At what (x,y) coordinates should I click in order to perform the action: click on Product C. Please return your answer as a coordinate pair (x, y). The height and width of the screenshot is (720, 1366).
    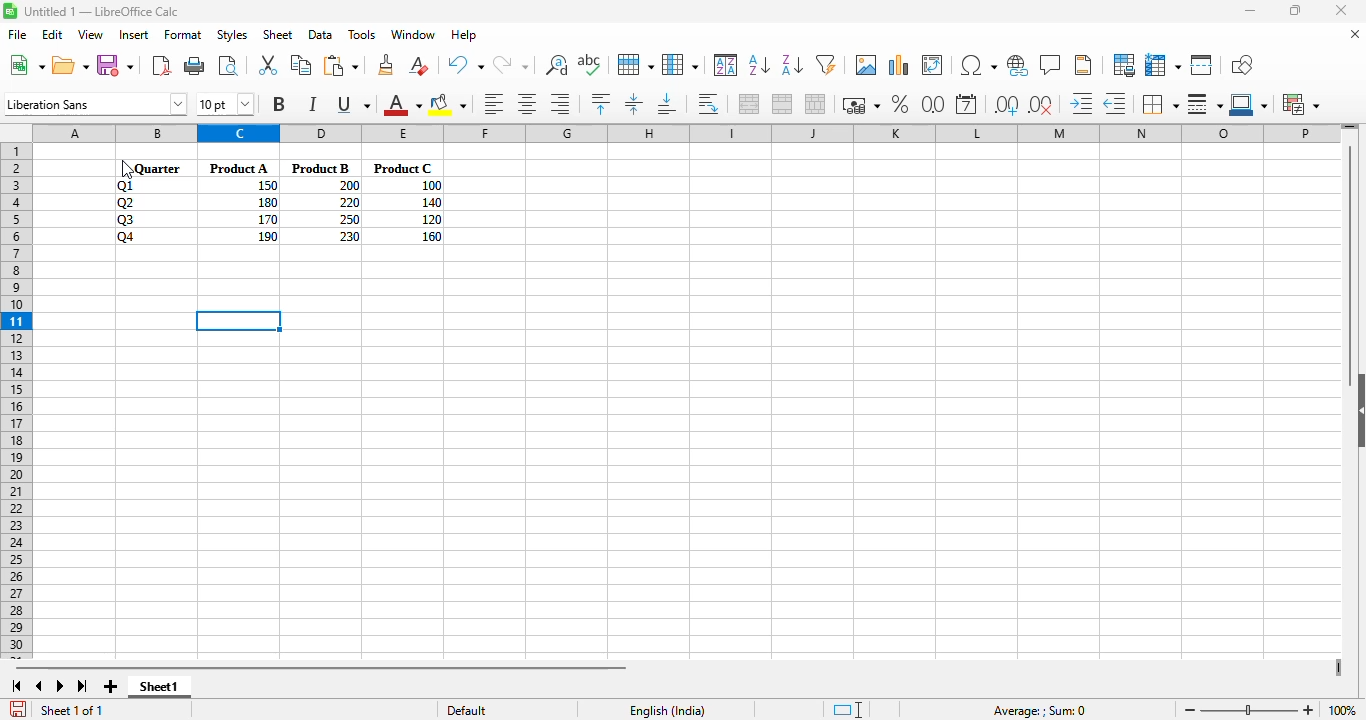
    Looking at the image, I should click on (401, 168).